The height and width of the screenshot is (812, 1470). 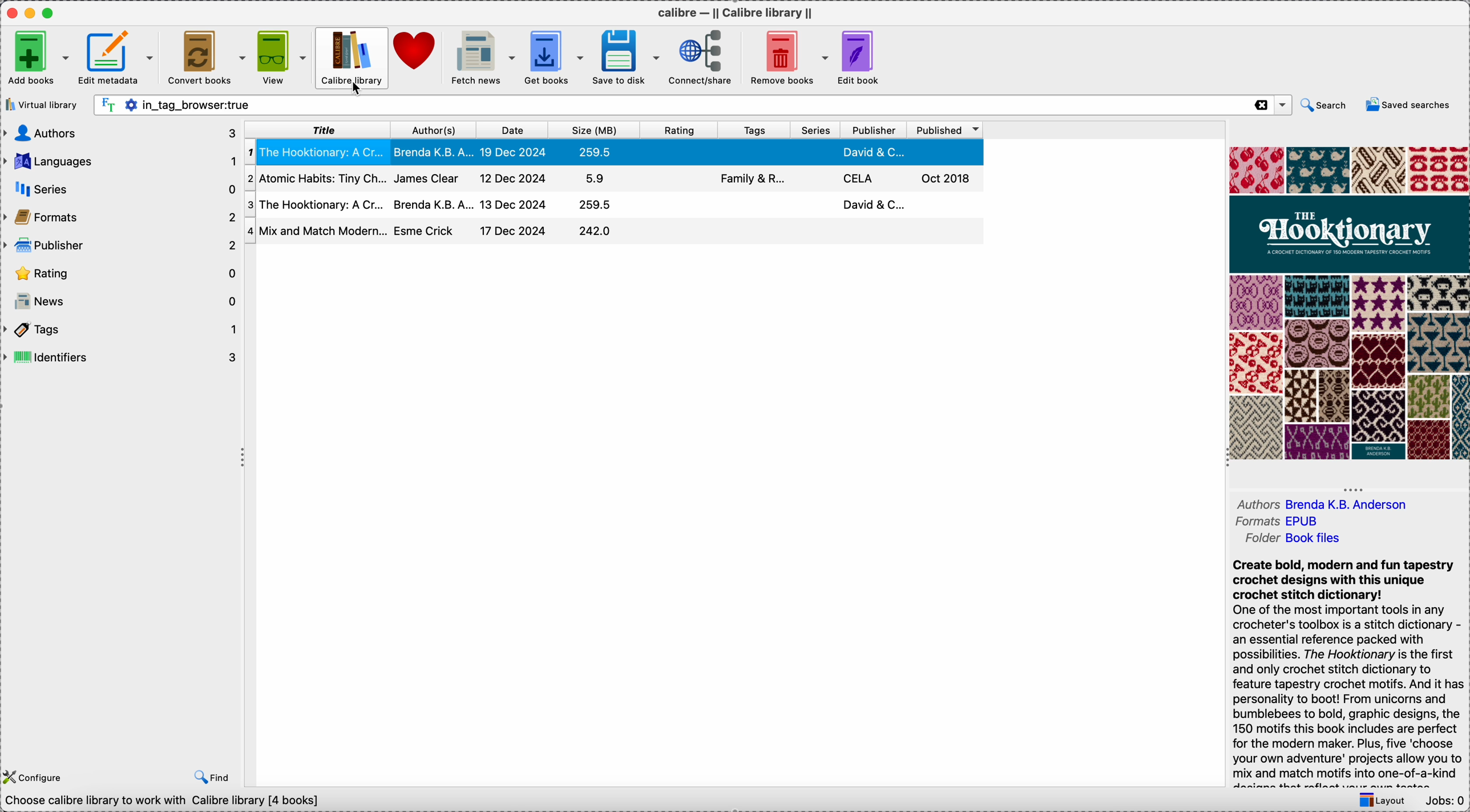 I want to click on four book, so click(x=615, y=232).